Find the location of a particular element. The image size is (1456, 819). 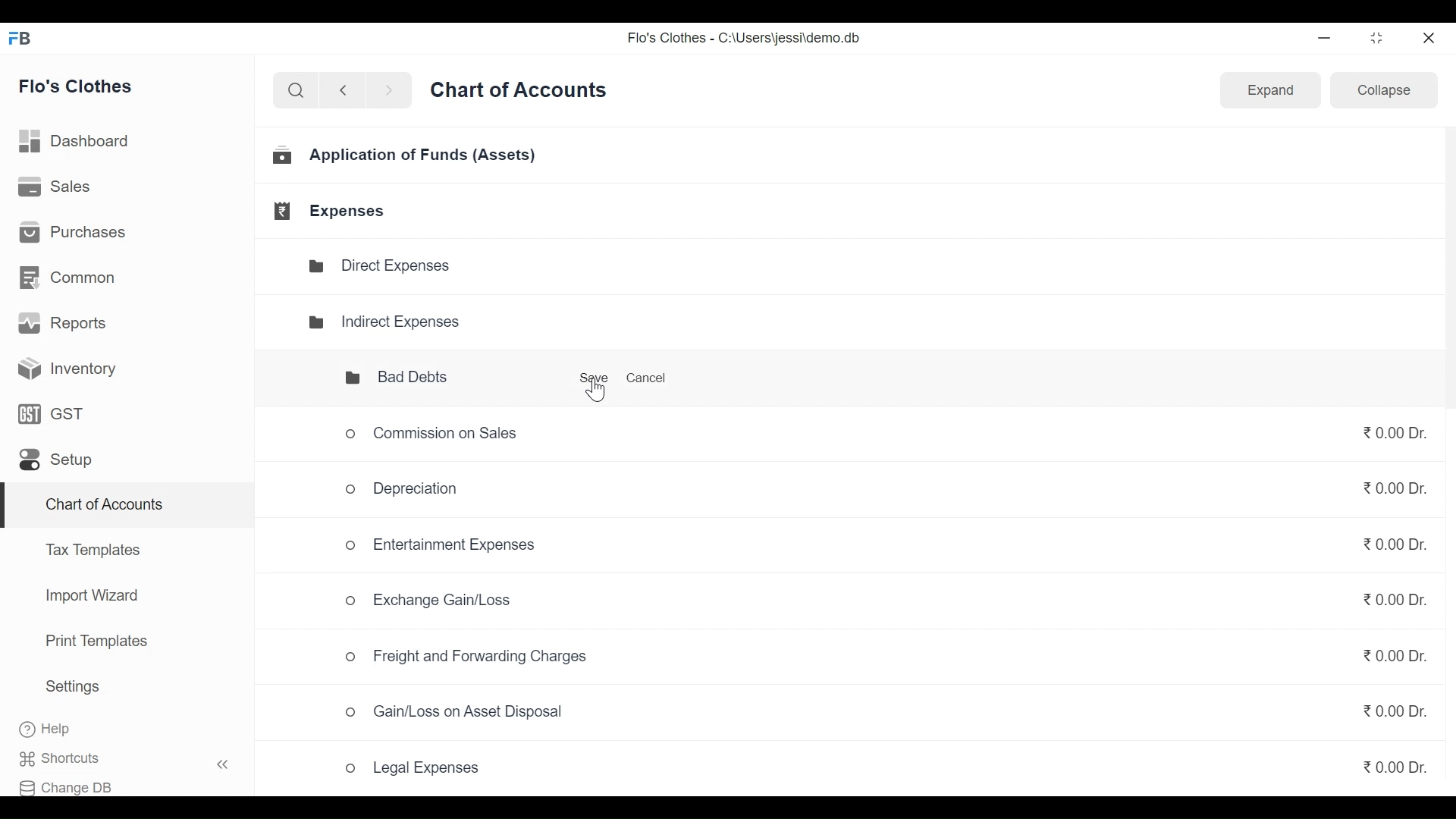

close is located at coordinates (1430, 36).